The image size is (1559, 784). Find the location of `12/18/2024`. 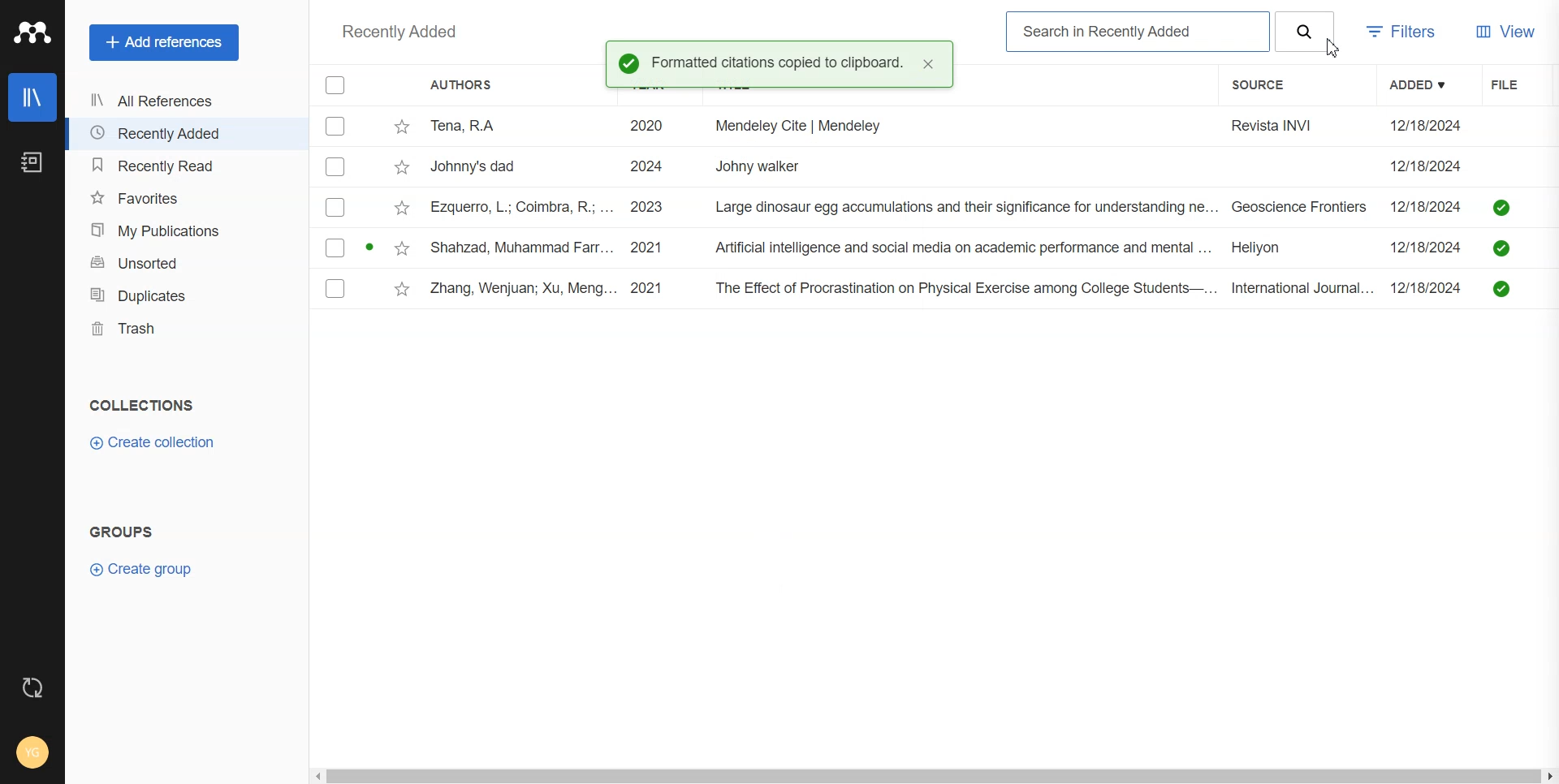

12/18/2024 is located at coordinates (1427, 166).